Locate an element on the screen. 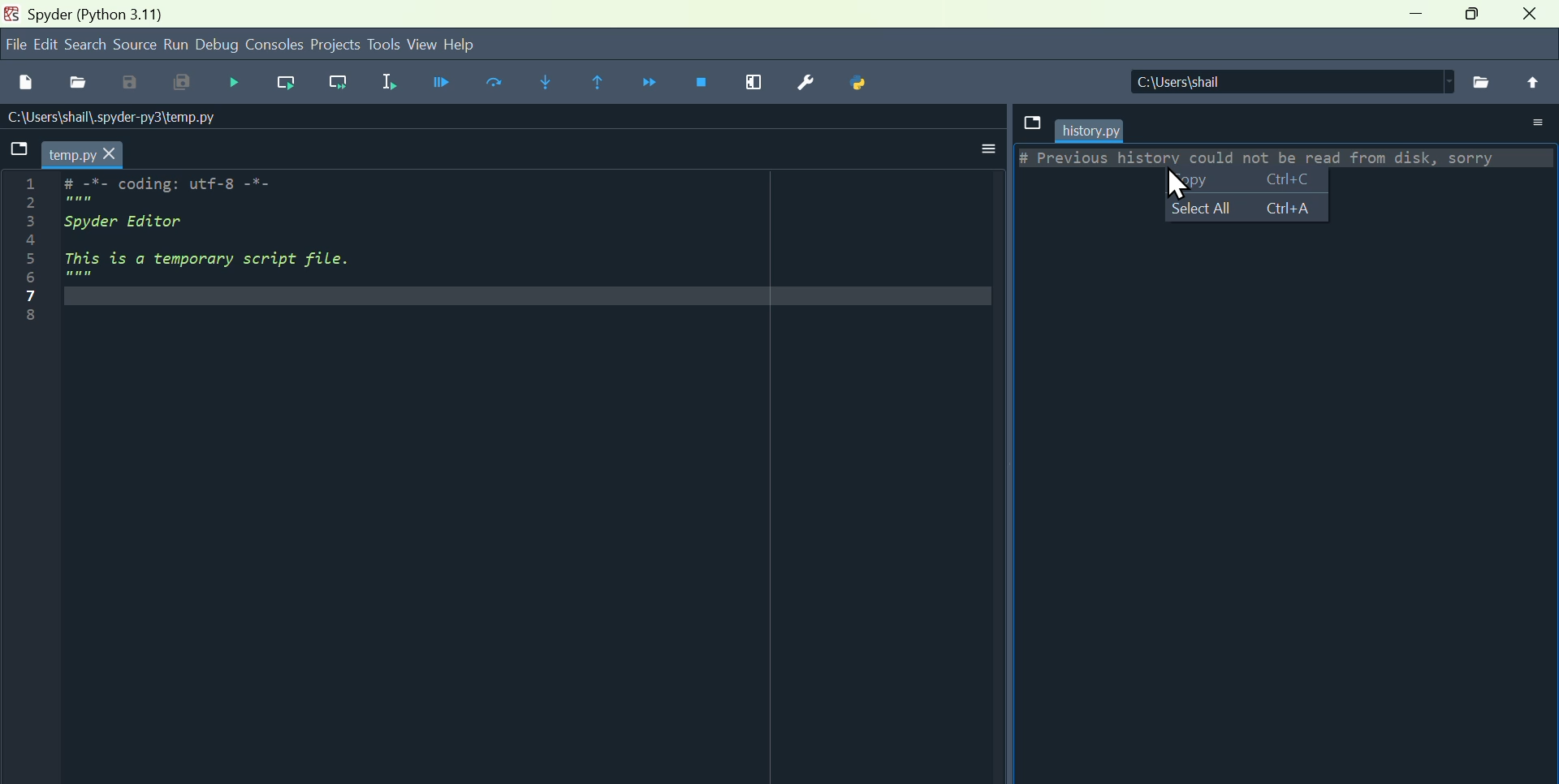 This screenshot has height=784, width=1559. Source is located at coordinates (134, 42).